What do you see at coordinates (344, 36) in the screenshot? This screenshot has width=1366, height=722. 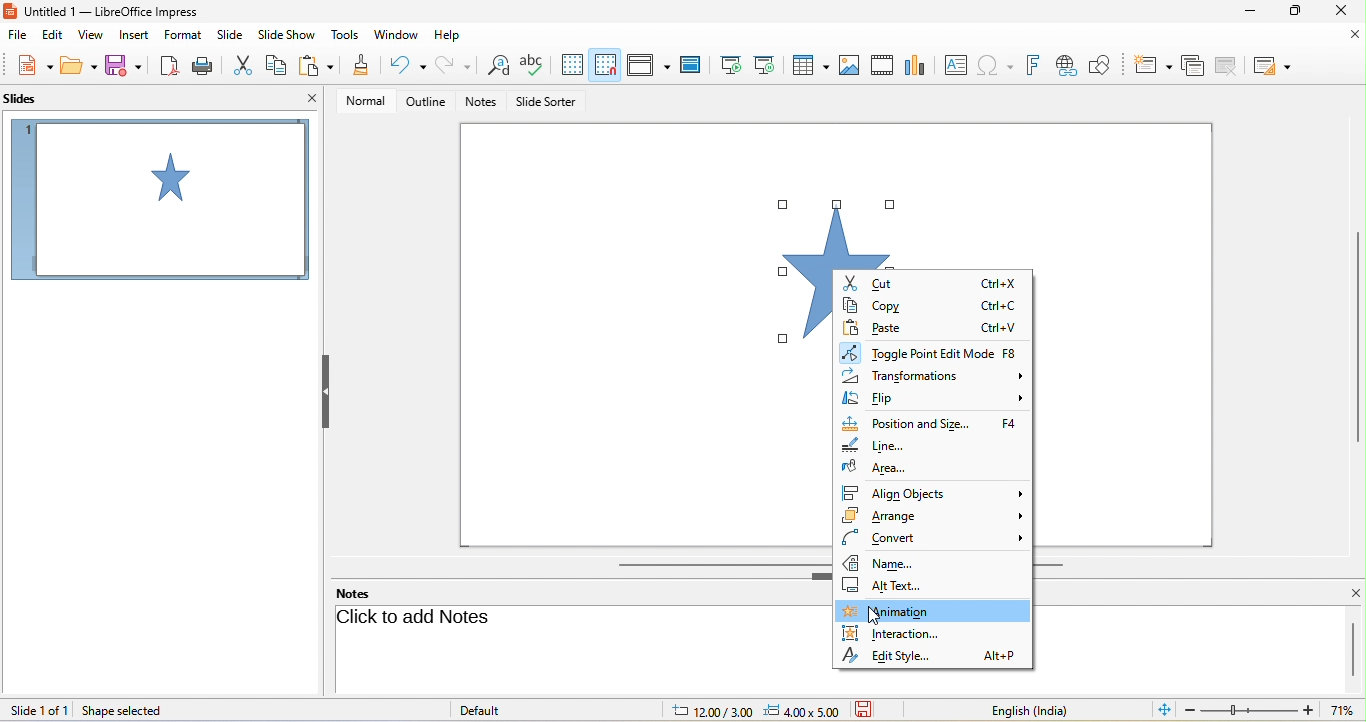 I see `tools` at bounding box center [344, 36].